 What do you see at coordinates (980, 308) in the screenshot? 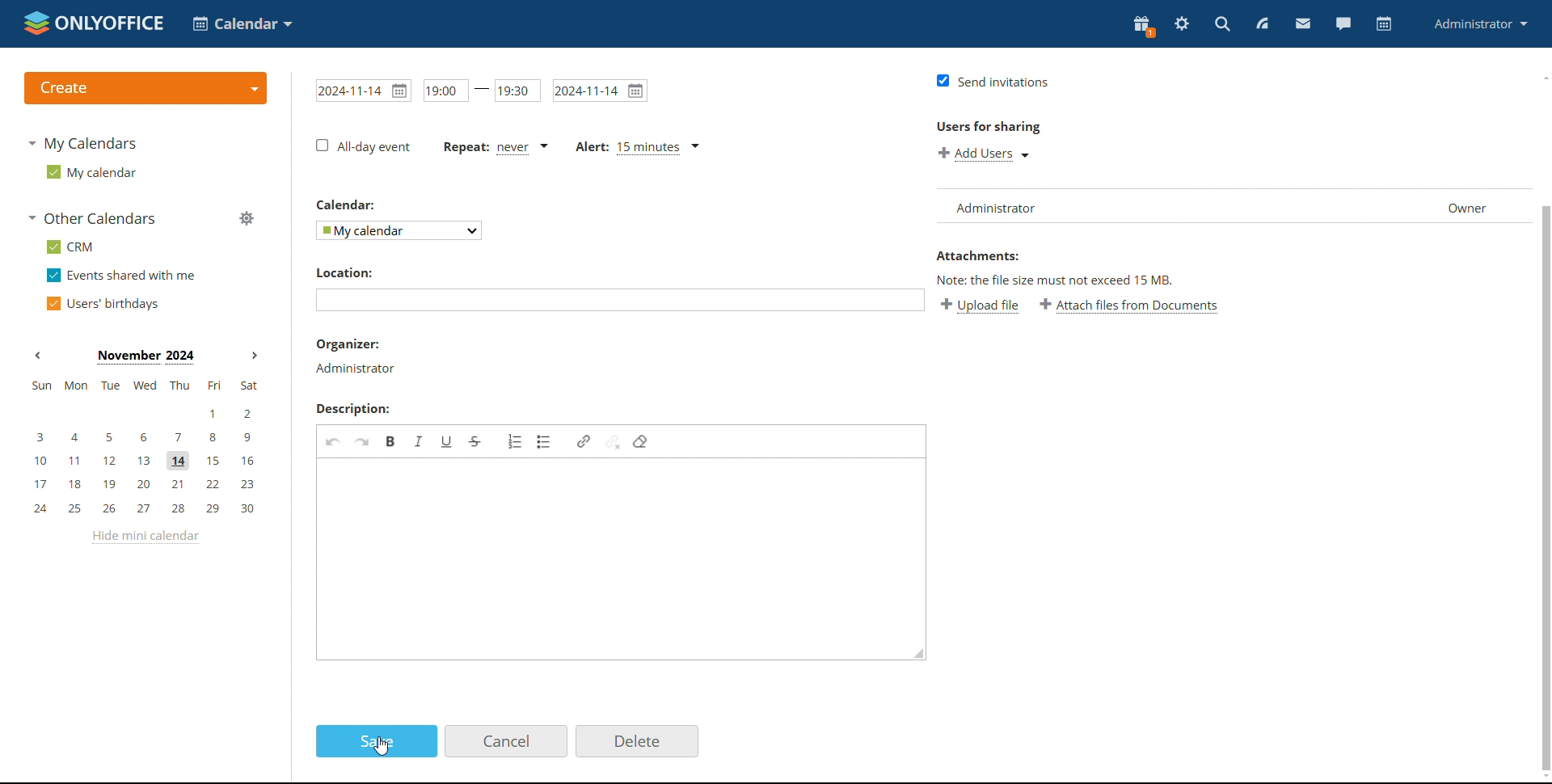
I see `upload file` at bounding box center [980, 308].